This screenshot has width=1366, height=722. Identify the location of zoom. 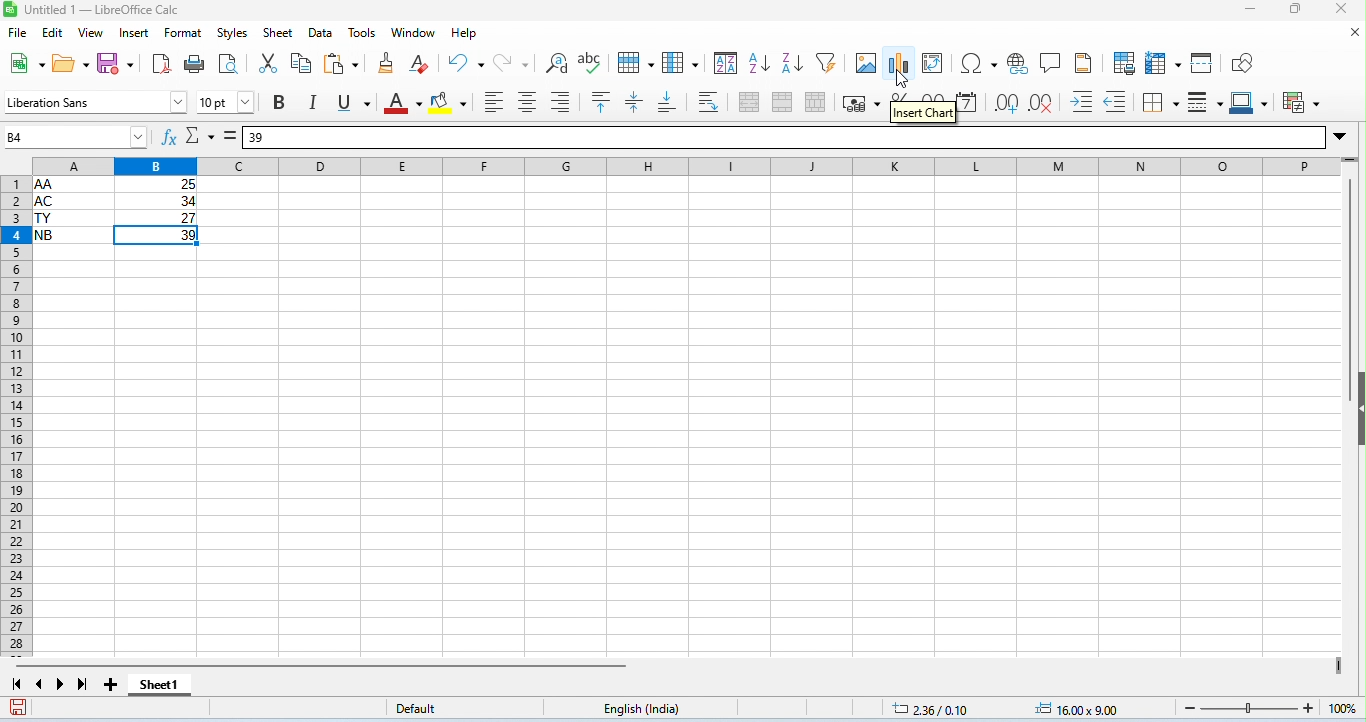
(1268, 706).